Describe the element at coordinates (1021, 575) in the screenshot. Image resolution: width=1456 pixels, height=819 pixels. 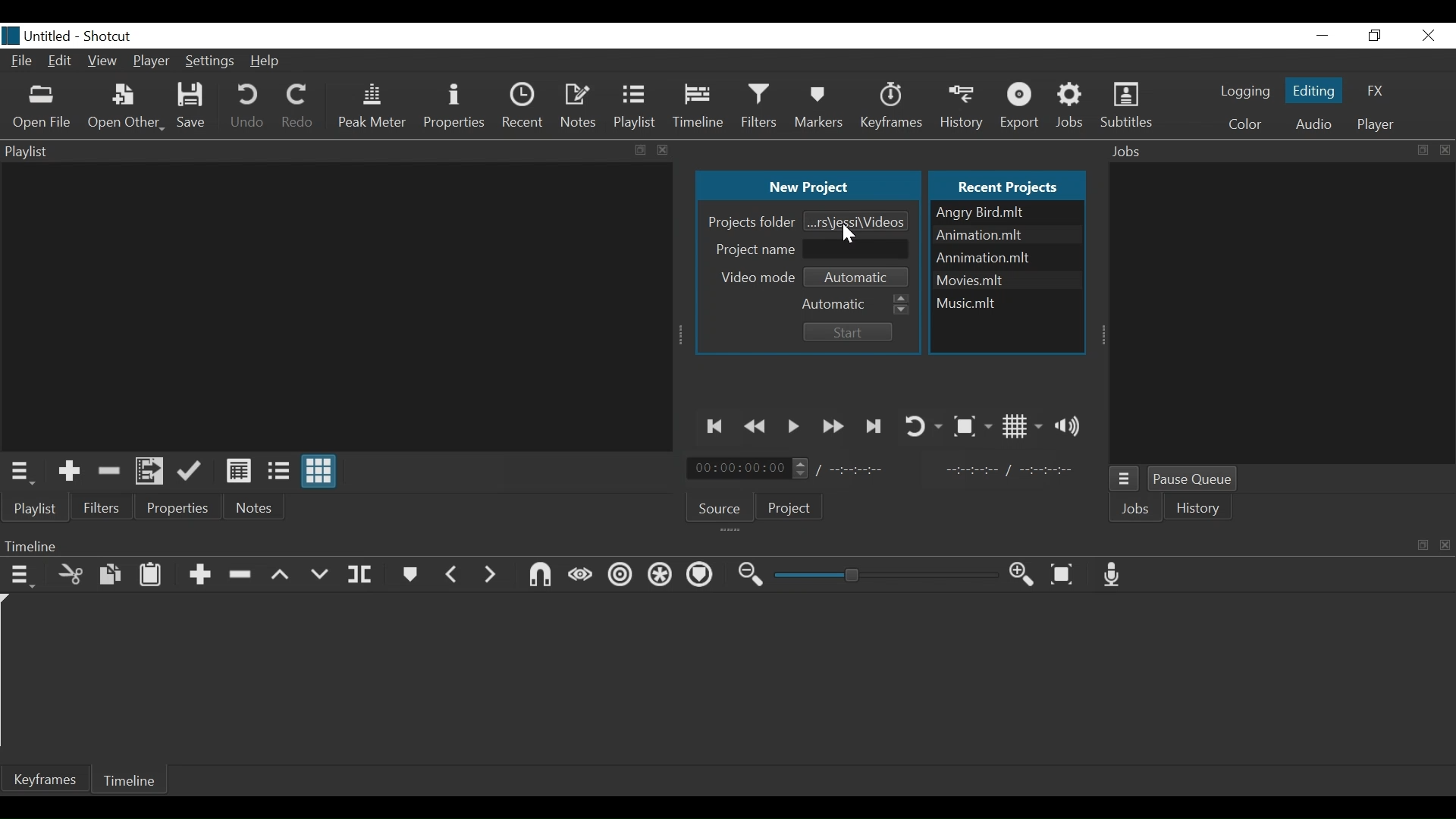
I see `Zoom Timeline in` at that location.